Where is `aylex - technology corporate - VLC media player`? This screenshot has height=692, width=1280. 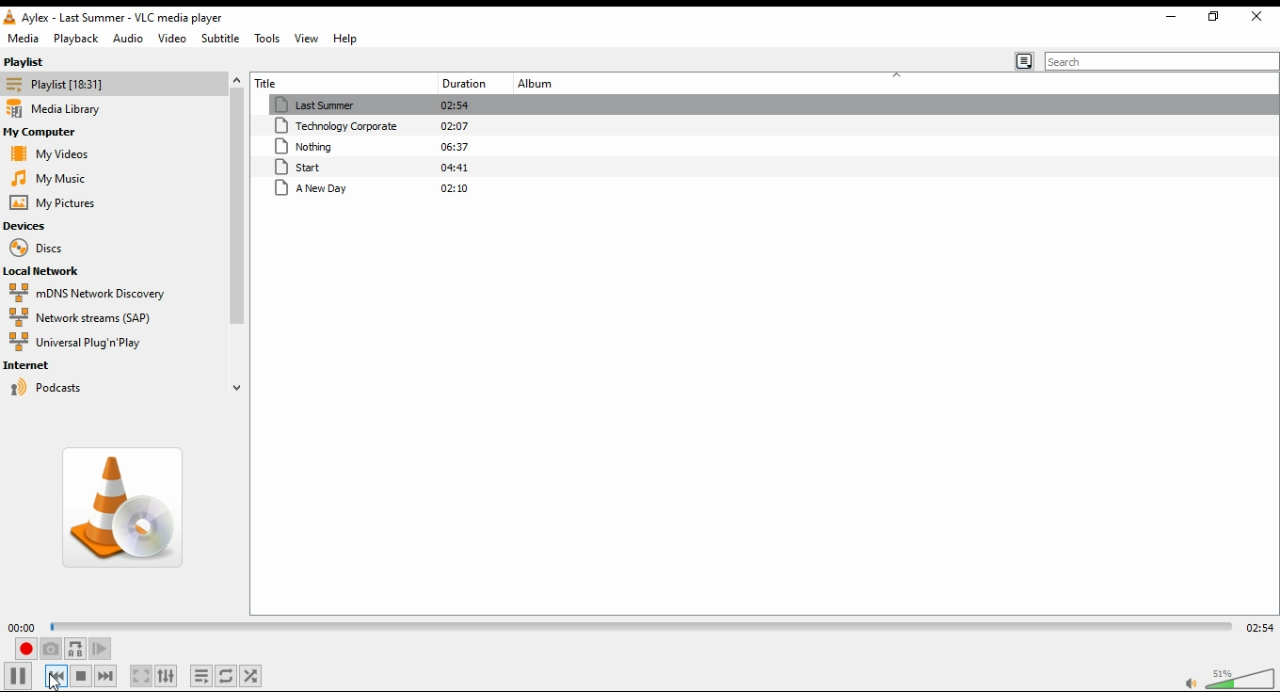 aylex - technology corporate - VLC media player is located at coordinates (147, 17).